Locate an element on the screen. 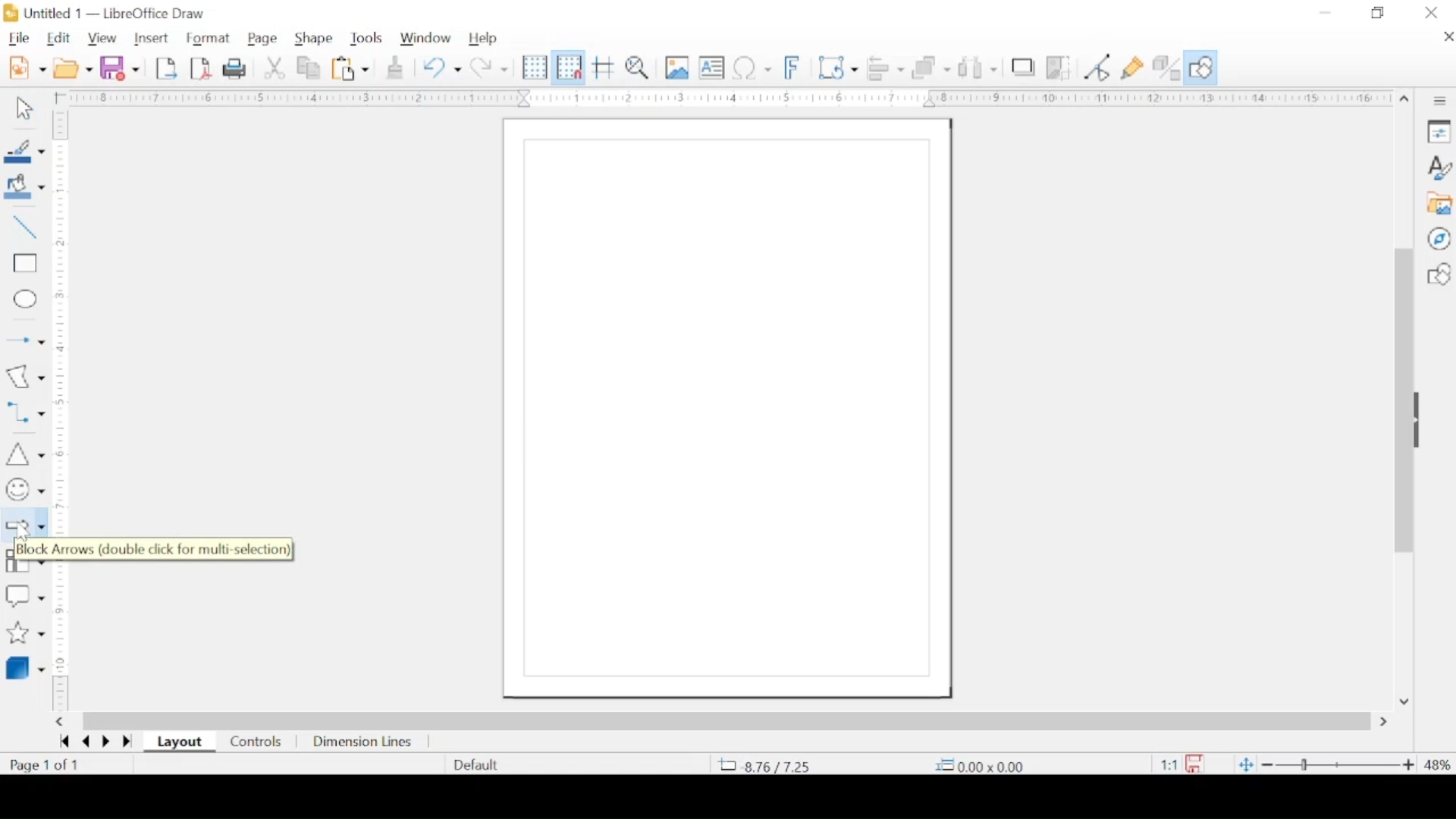 The width and height of the screenshot is (1456, 819). snap to grid is located at coordinates (569, 67).